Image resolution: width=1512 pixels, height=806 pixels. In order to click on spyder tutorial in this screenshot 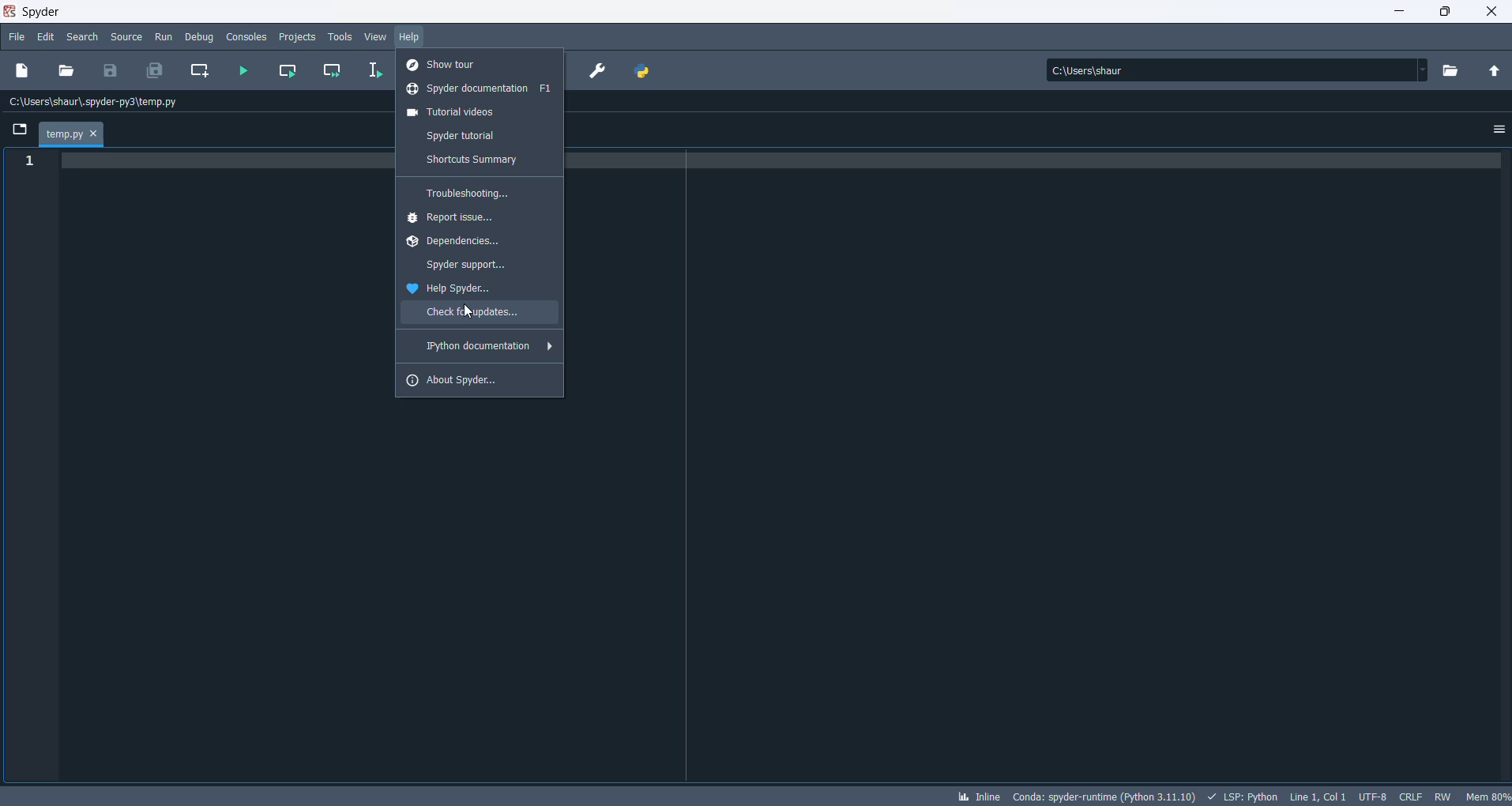, I will do `click(487, 137)`.